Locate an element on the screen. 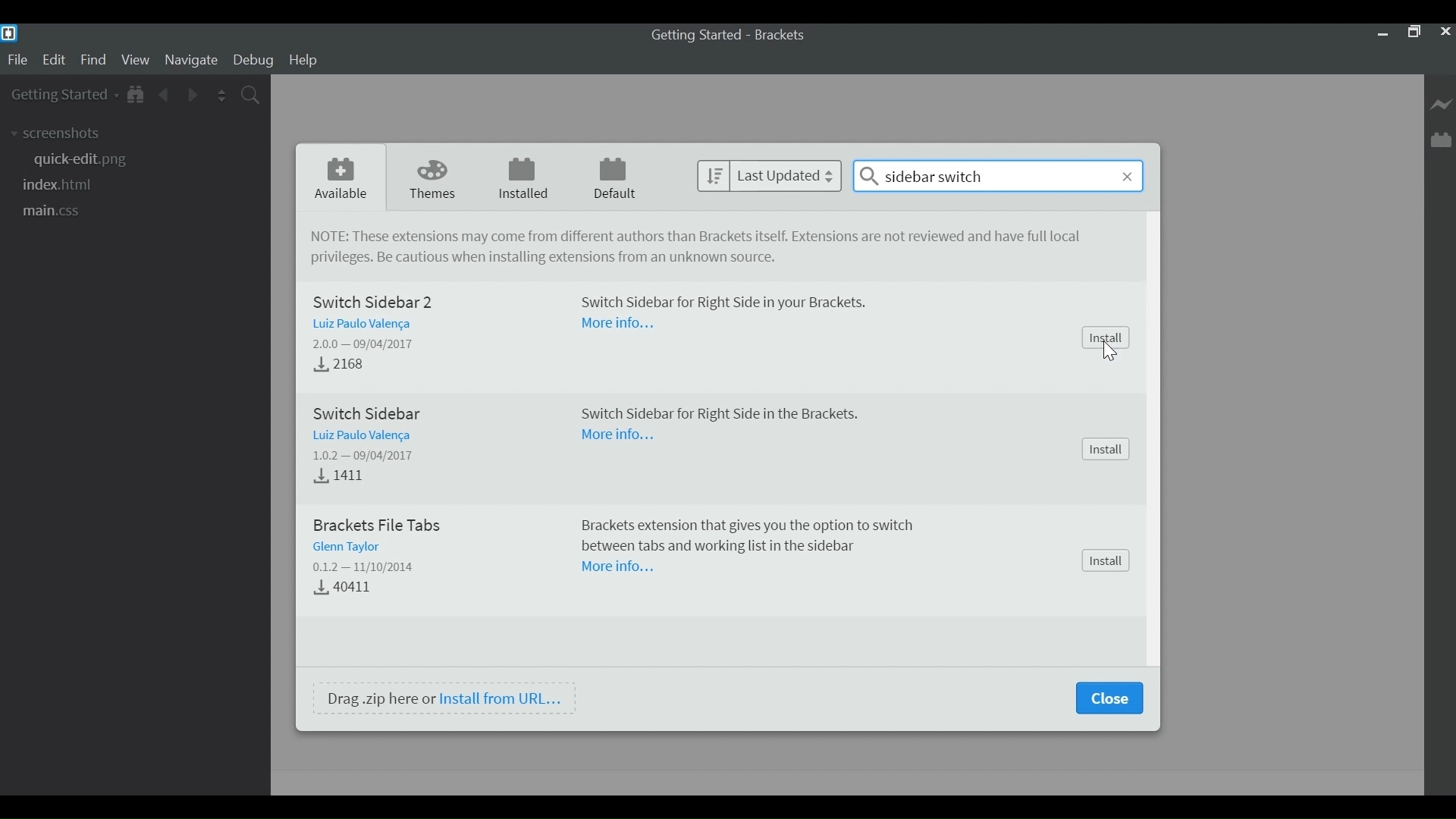  0.1.2 — 11/10/2014  is located at coordinates (362, 568).